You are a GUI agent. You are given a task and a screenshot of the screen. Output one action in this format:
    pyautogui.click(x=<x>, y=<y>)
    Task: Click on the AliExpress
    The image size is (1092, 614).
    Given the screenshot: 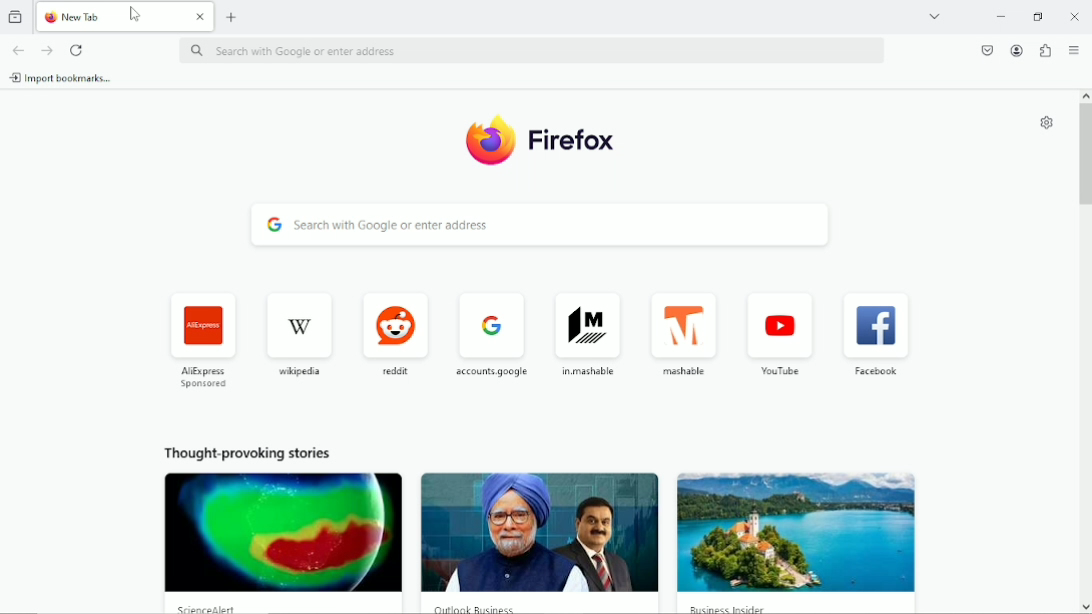 What is the action you would take?
    pyautogui.click(x=201, y=340)
    